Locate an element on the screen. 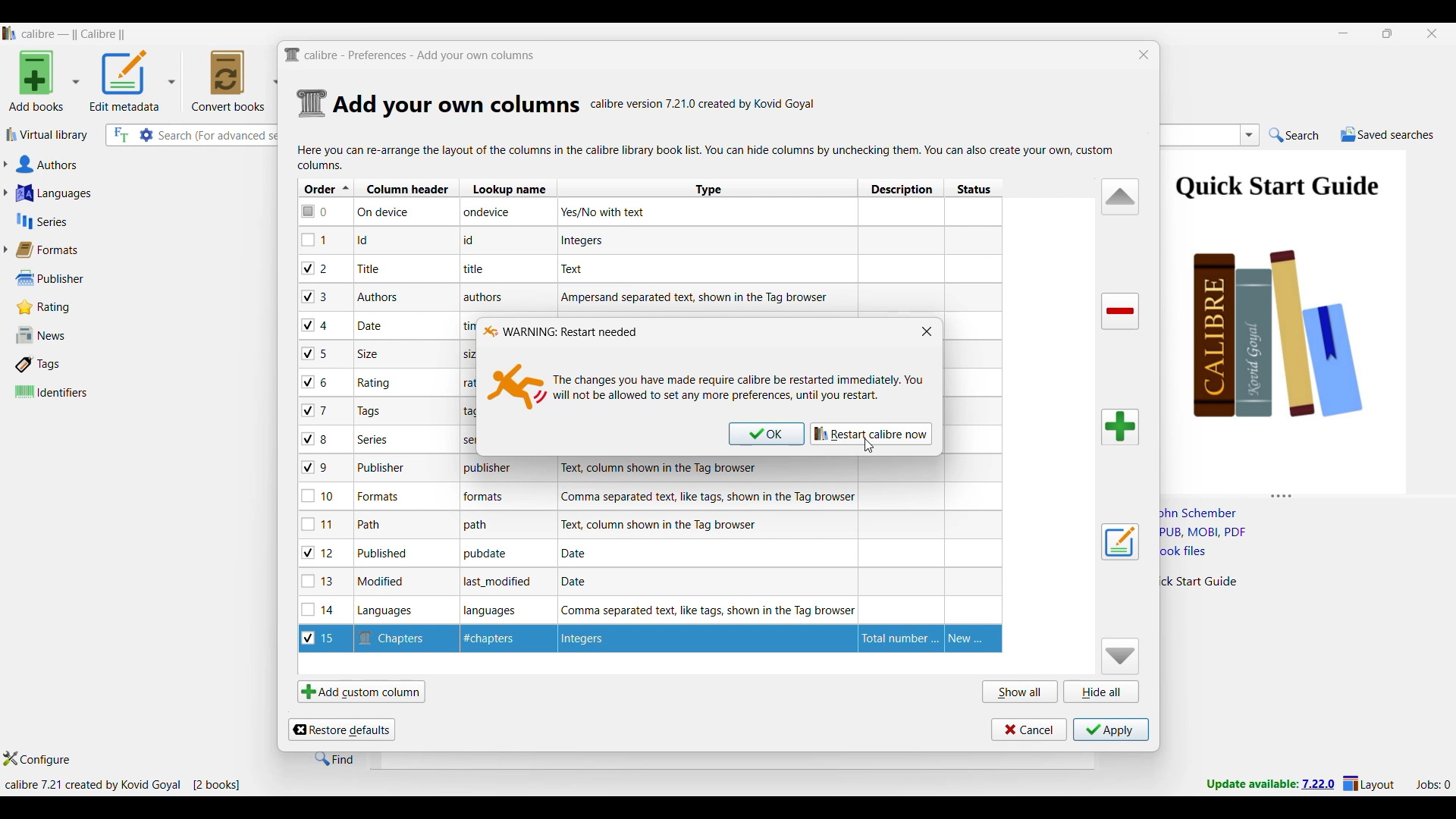 This screenshot has width=1456, height=819. Description column is located at coordinates (901, 187).